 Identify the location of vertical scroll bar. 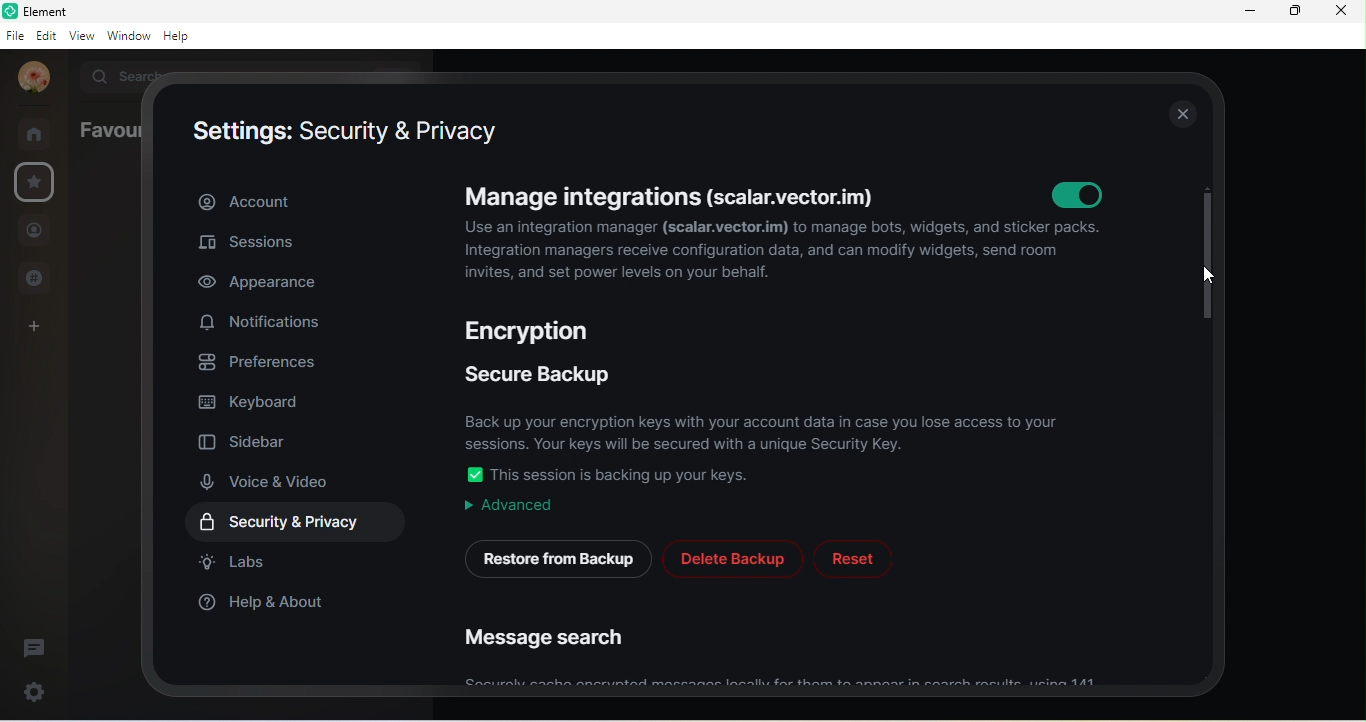
(1207, 256).